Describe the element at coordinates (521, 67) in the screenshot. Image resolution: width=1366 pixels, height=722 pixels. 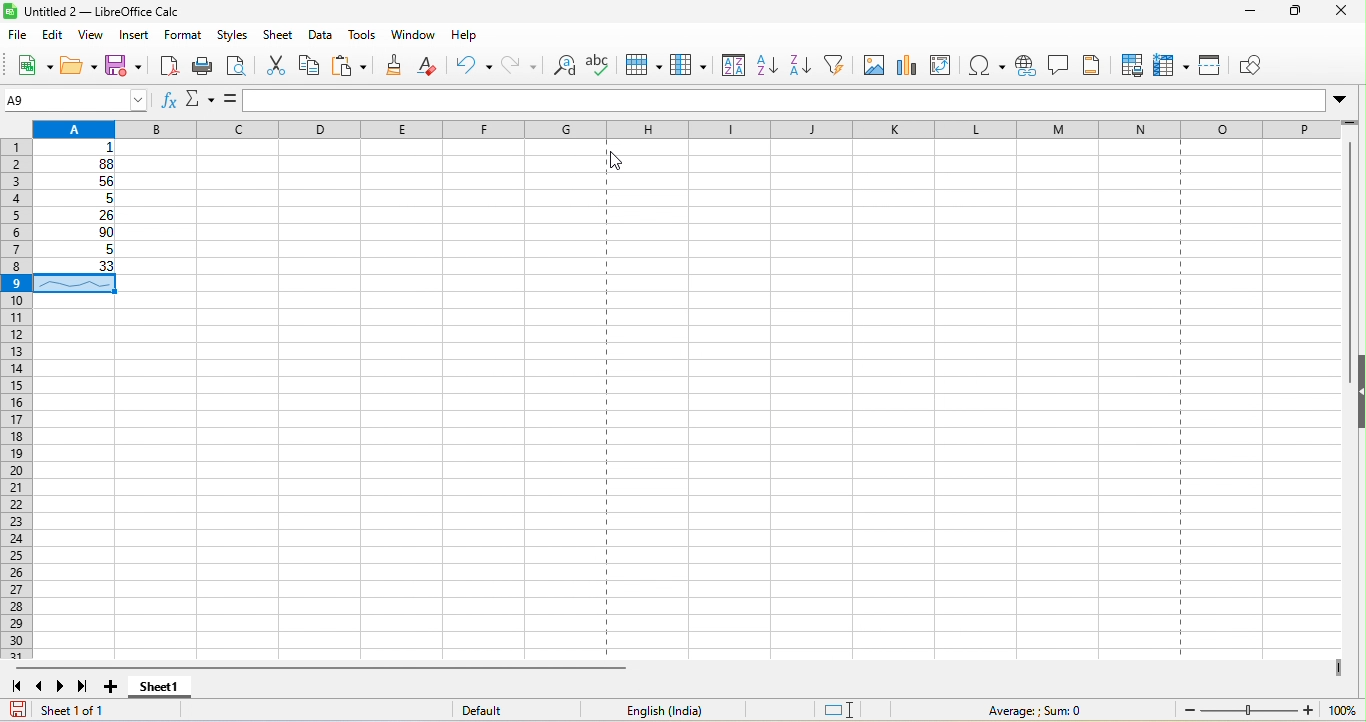
I see `redo` at that location.